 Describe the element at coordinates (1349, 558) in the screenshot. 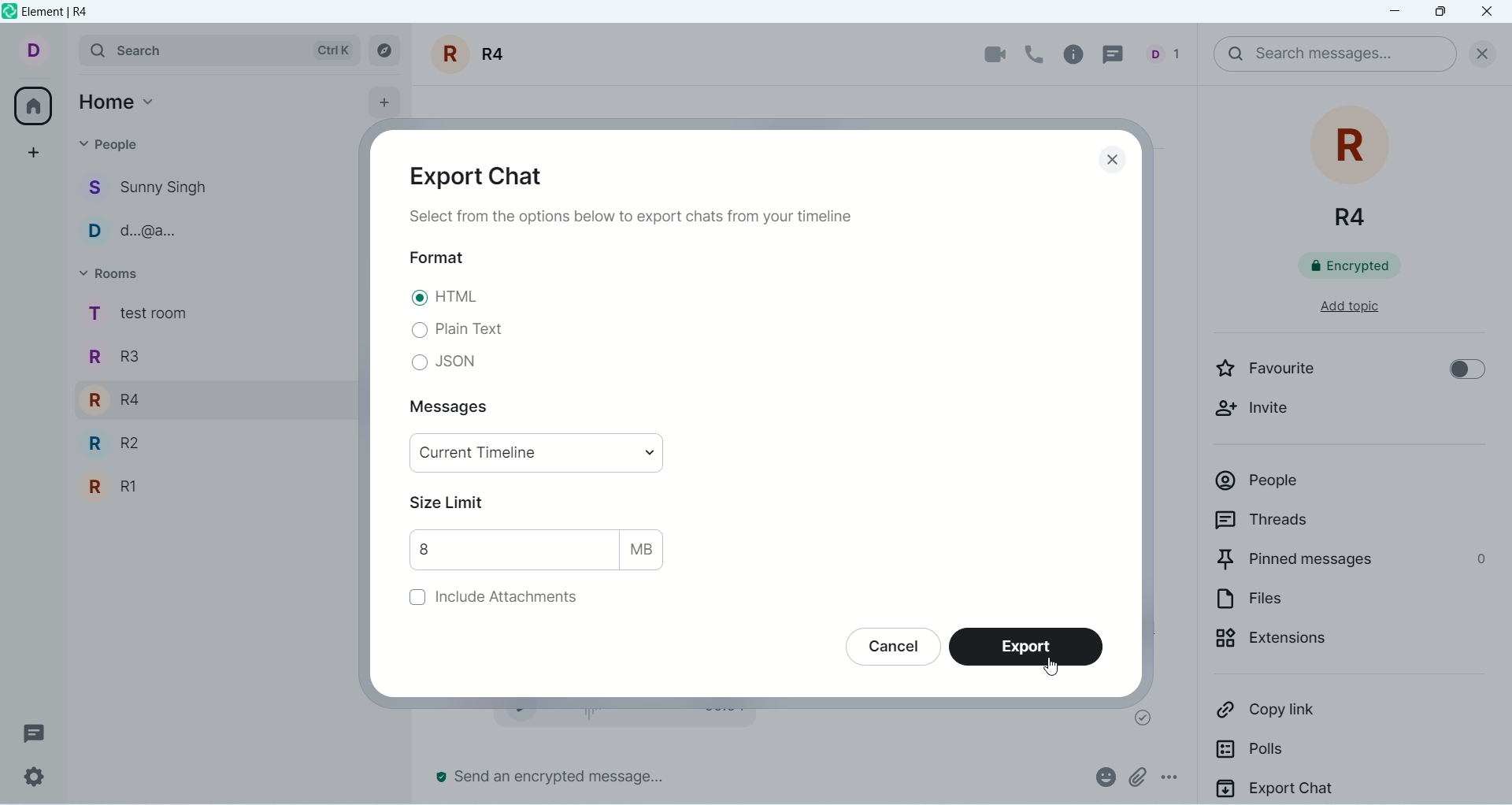

I see `pinned message` at that location.